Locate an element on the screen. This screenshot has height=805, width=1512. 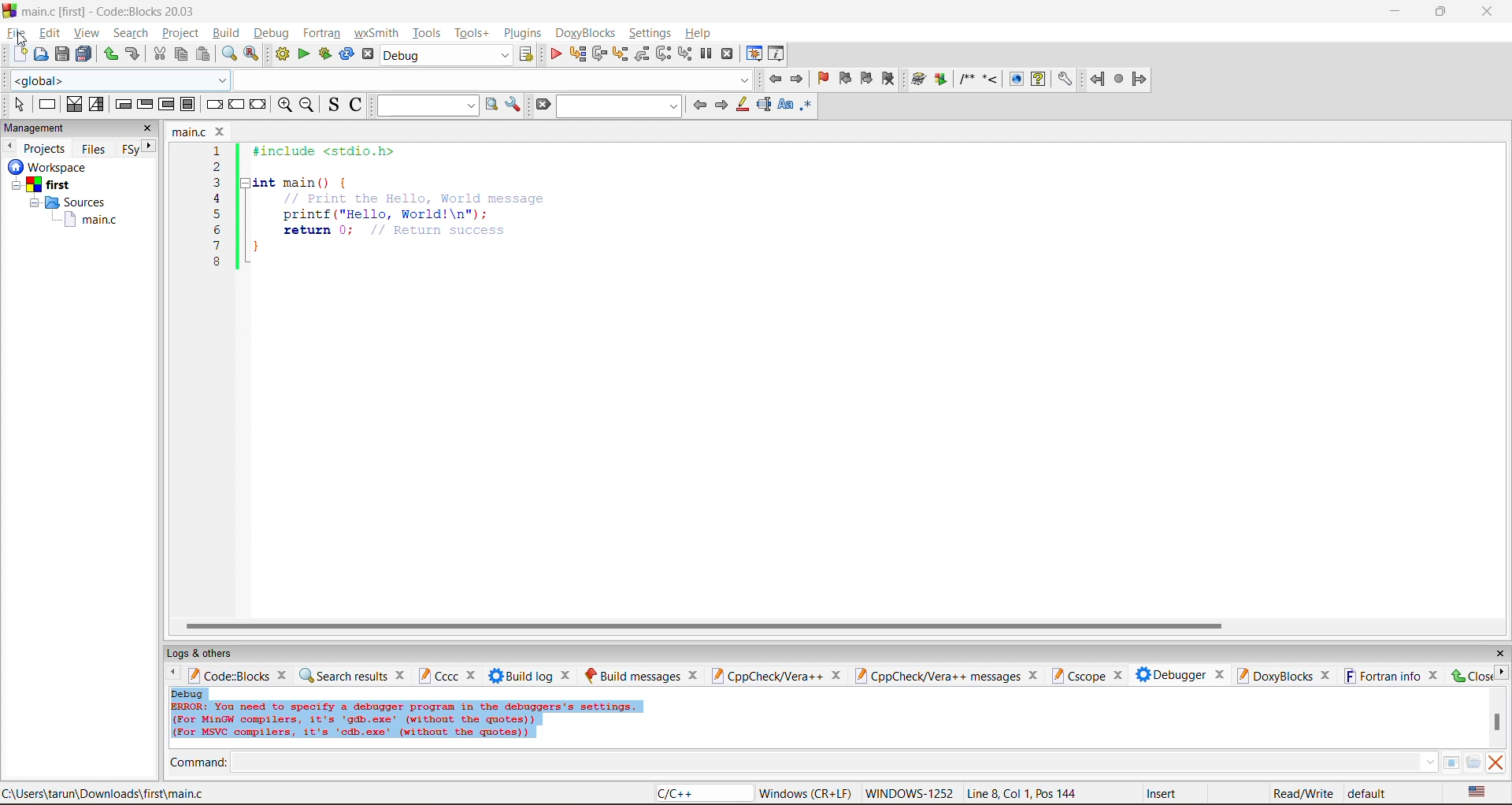
minimize is located at coordinates (1396, 12).